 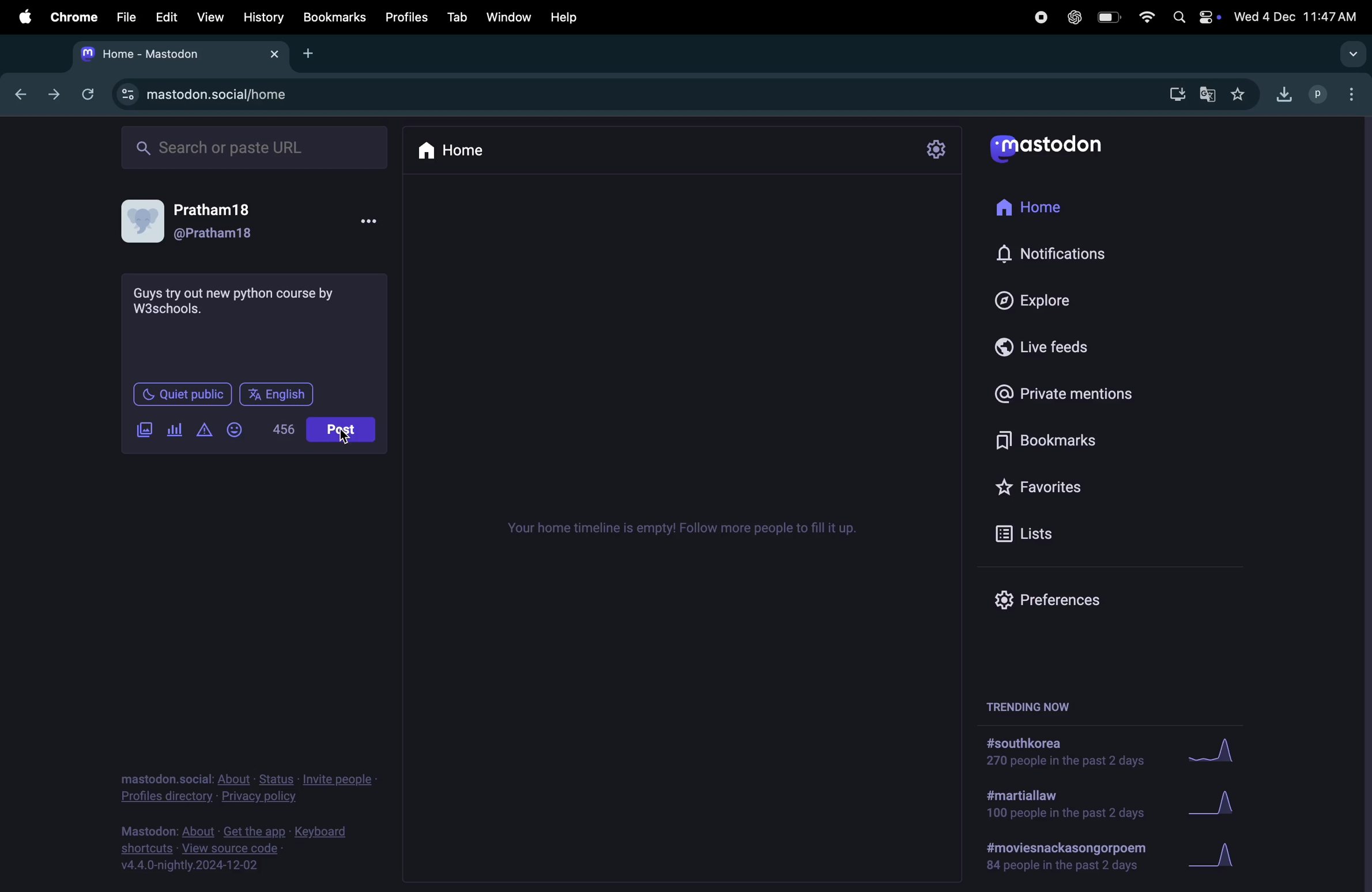 I want to click on File, so click(x=123, y=17).